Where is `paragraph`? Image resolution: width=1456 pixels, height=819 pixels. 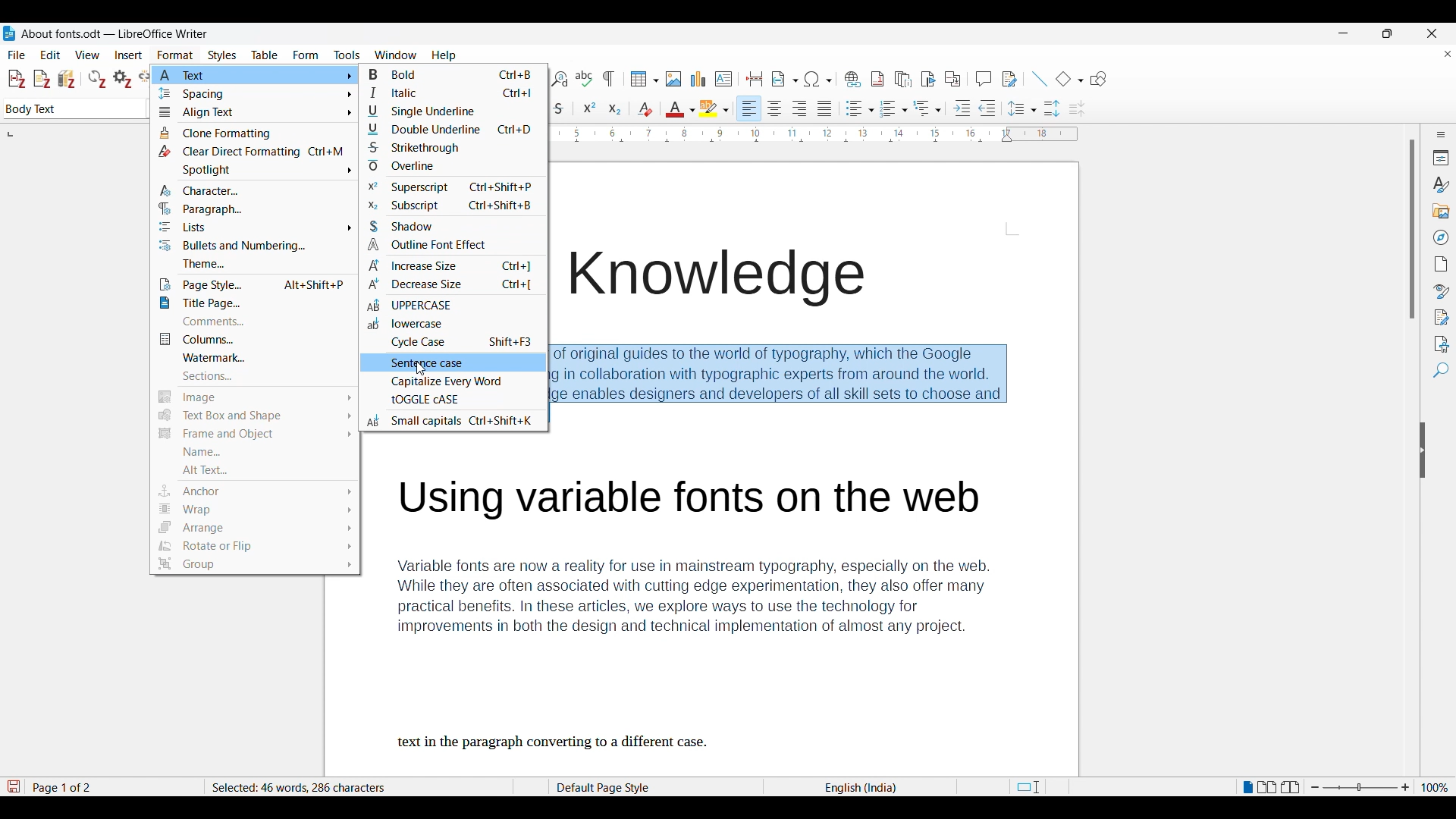
paragraph is located at coordinates (218, 209).